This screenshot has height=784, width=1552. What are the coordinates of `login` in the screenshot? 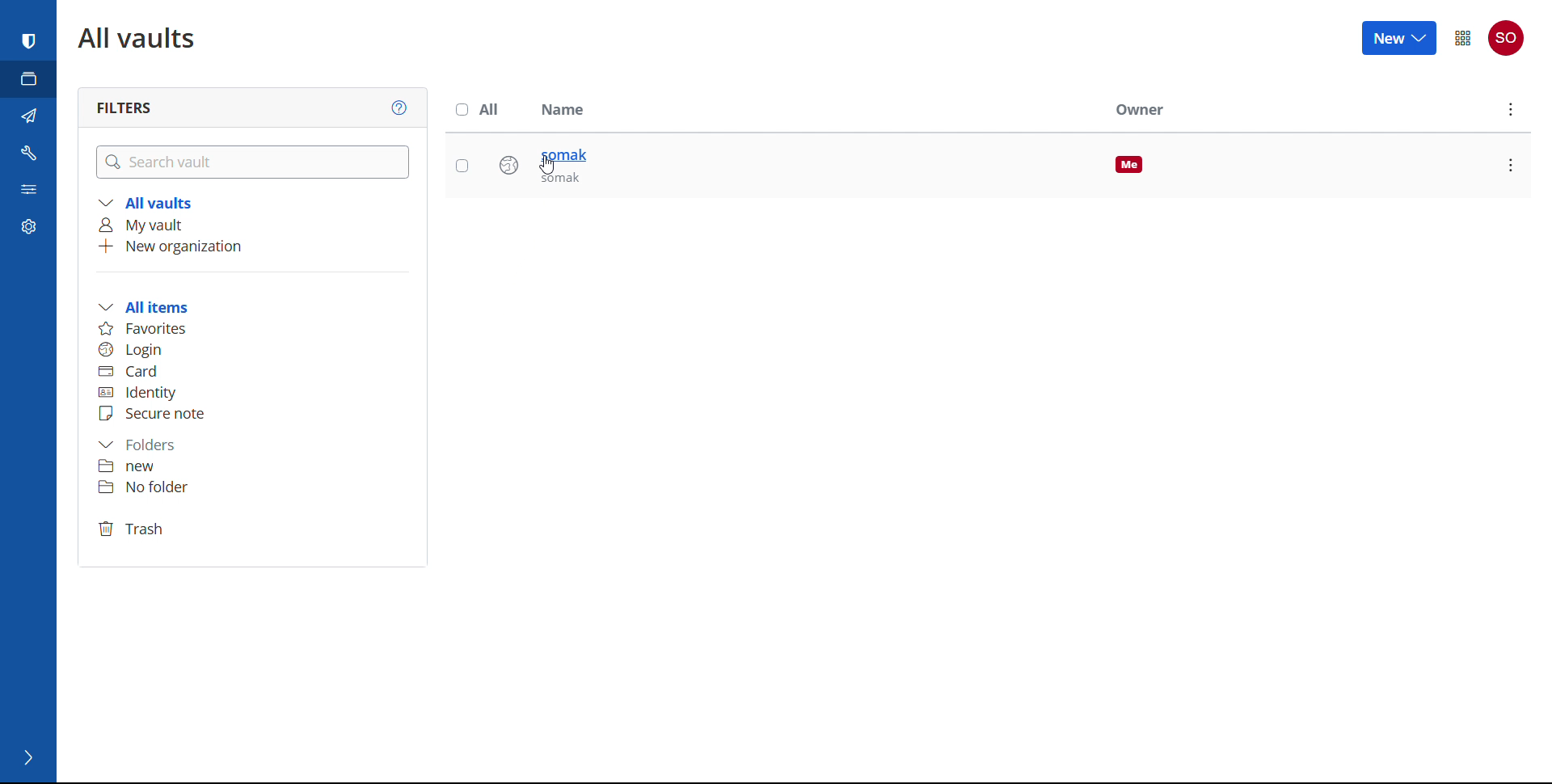 It's located at (248, 350).